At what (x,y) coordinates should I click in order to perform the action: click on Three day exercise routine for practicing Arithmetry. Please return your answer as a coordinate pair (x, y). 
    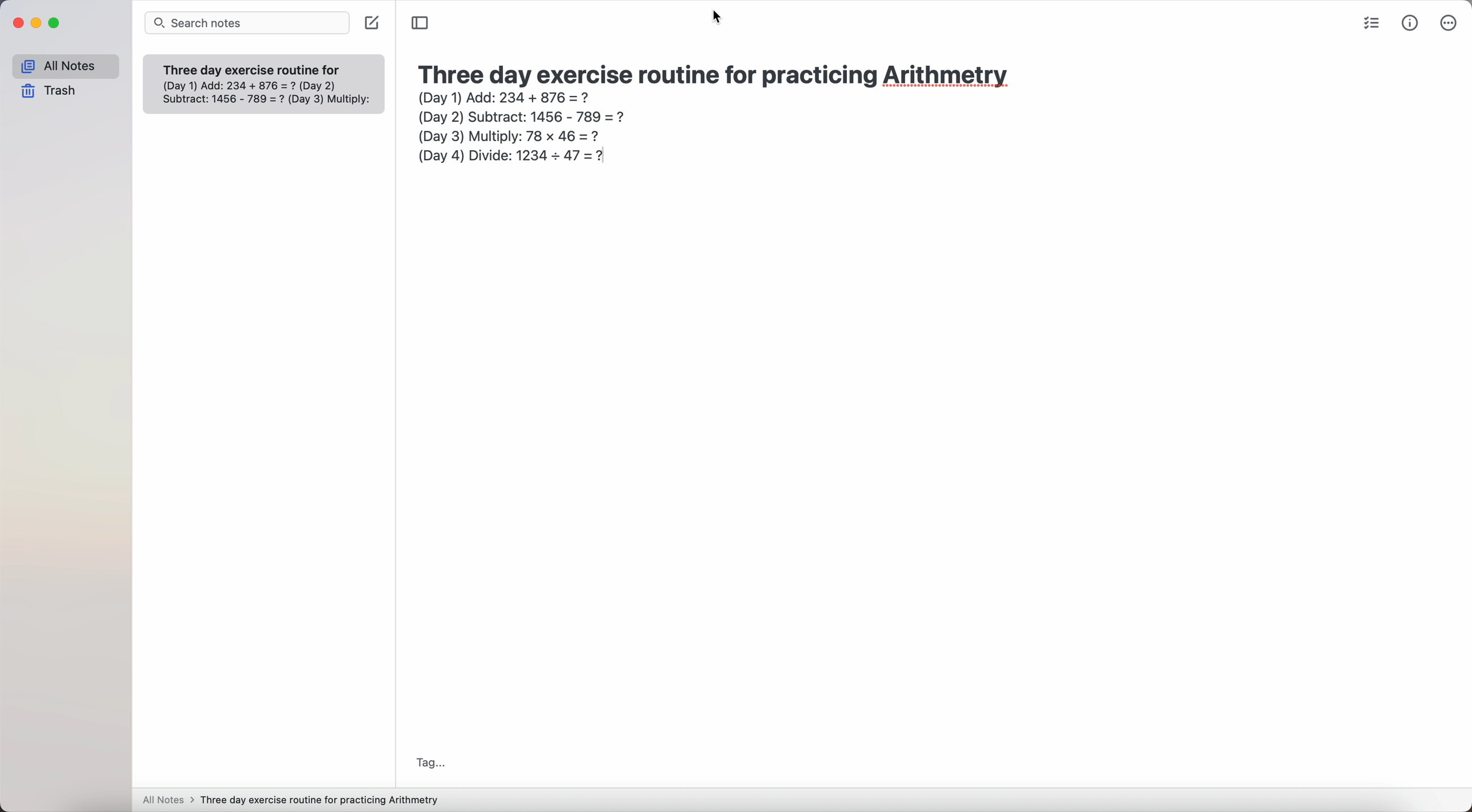
    Looking at the image, I should click on (723, 73).